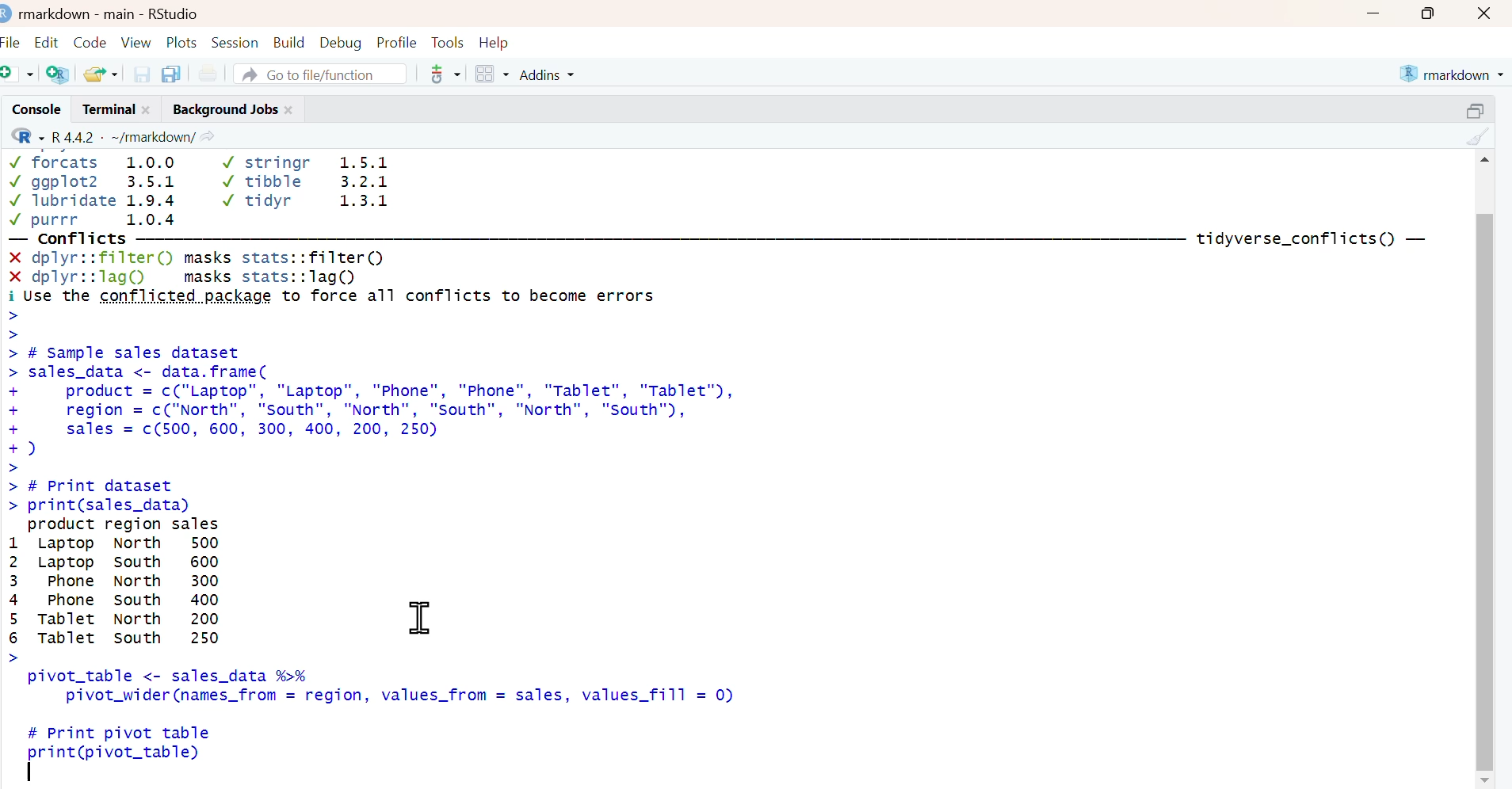 This screenshot has height=789, width=1512. What do you see at coordinates (444, 75) in the screenshot?
I see `Git` at bounding box center [444, 75].